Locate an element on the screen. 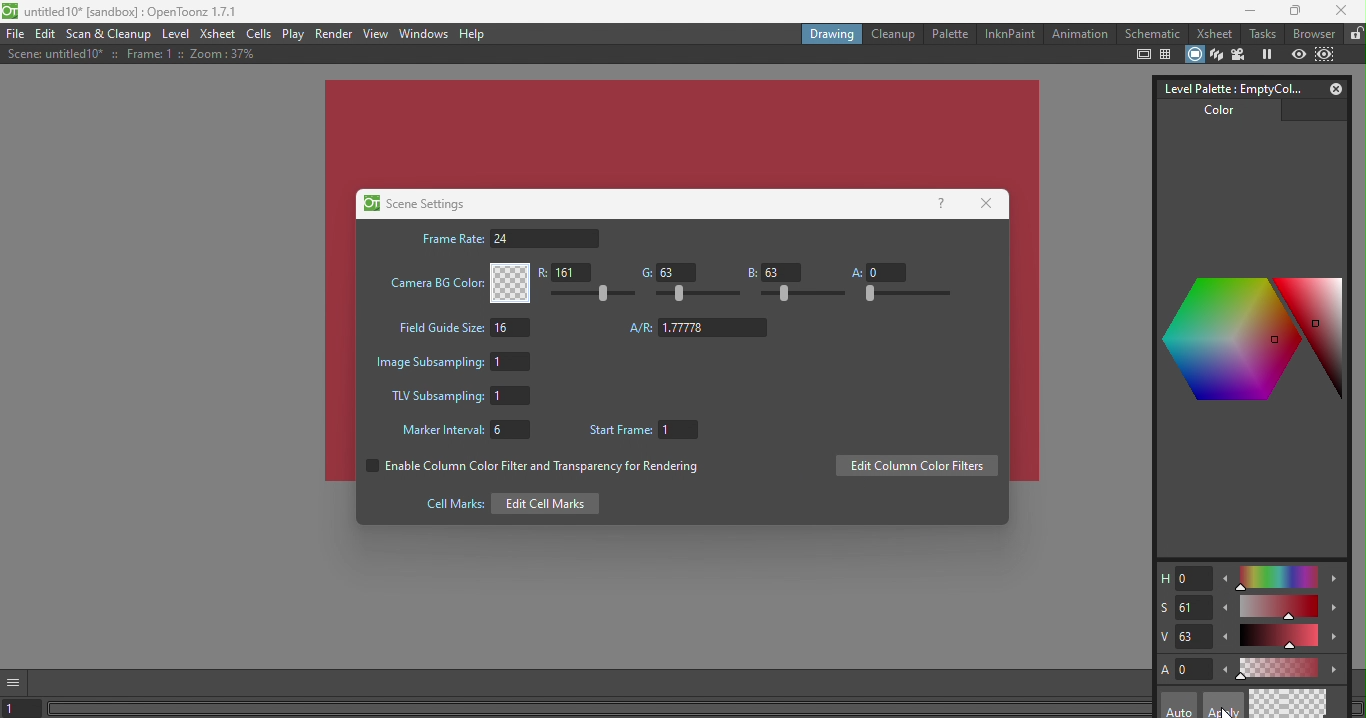  Current style is located at coordinates (1269, 704).